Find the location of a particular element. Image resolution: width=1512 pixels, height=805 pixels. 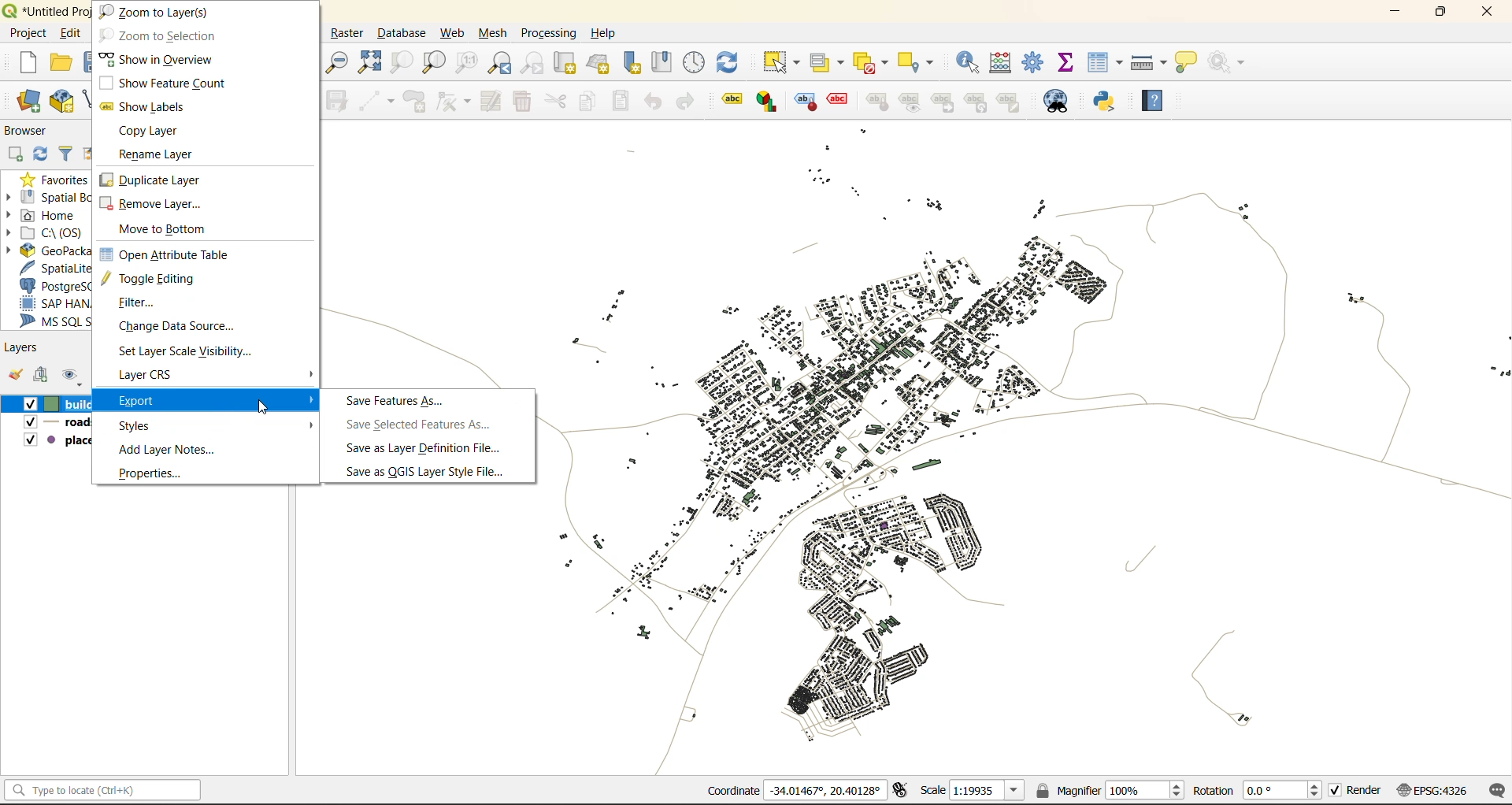

show labels is located at coordinates (150, 110).